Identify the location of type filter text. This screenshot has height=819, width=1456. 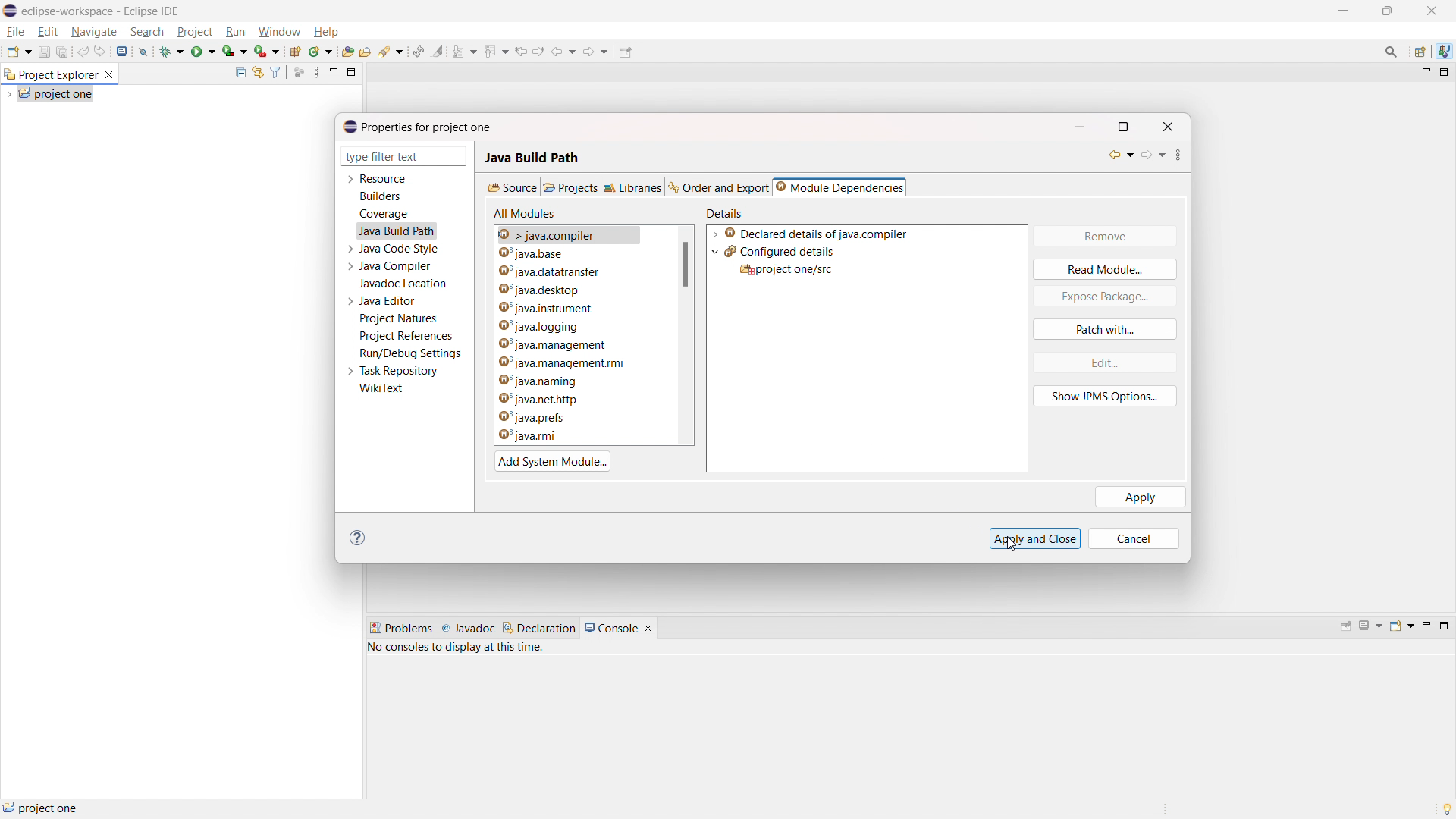
(394, 157).